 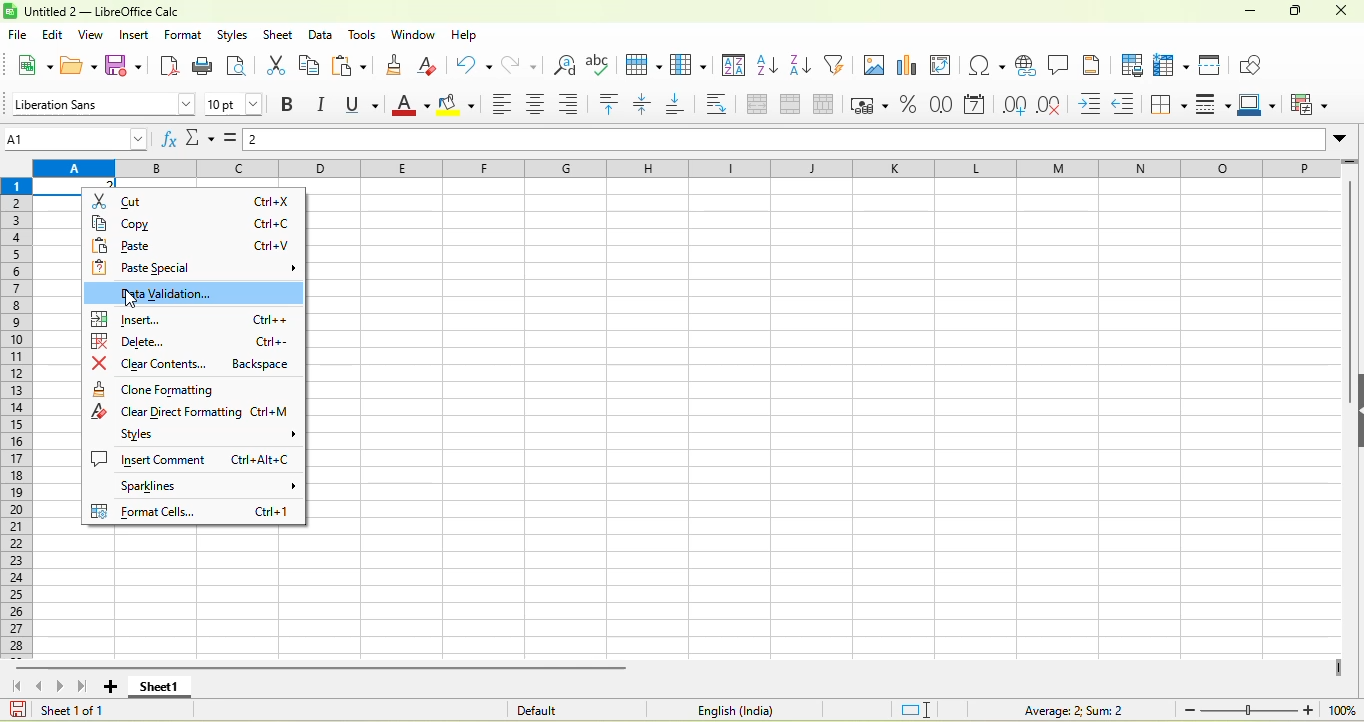 I want to click on find and replace, so click(x=564, y=64).